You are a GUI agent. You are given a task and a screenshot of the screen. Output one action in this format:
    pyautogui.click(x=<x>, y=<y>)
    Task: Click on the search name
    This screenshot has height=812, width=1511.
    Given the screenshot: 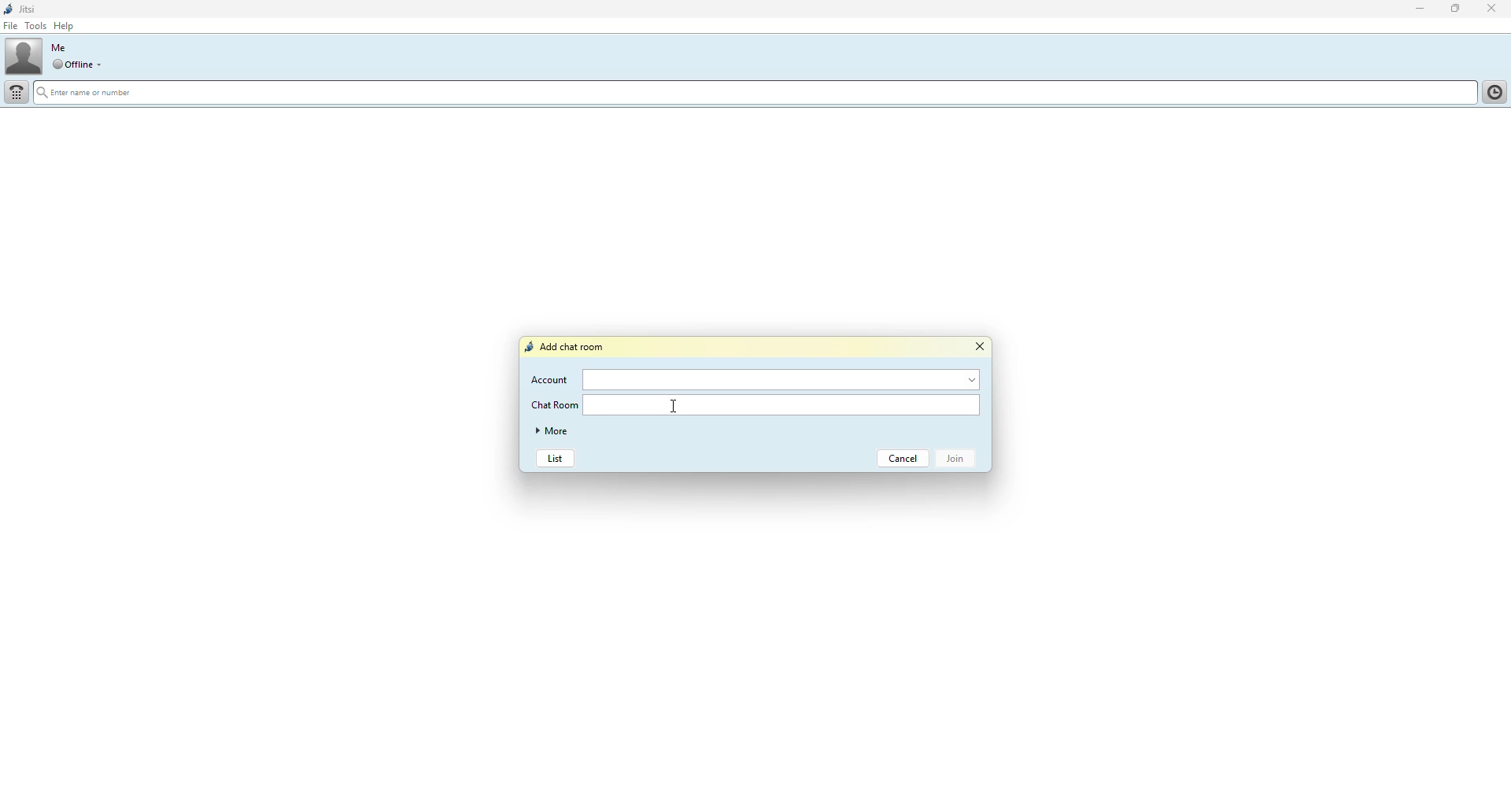 What is the action you would take?
    pyautogui.click(x=752, y=93)
    